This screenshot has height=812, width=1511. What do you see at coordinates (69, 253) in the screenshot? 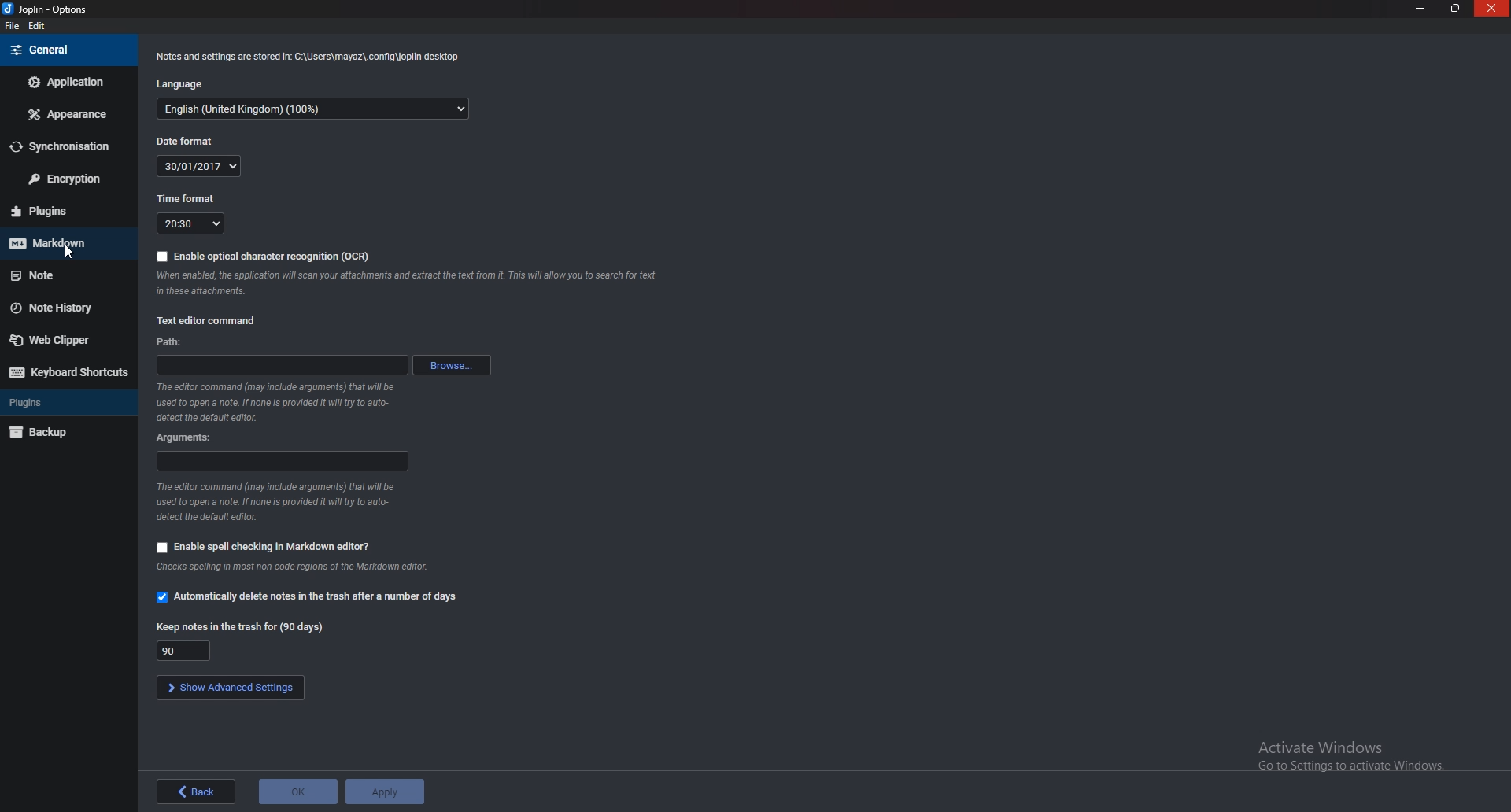
I see `cursor` at bounding box center [69, 253].